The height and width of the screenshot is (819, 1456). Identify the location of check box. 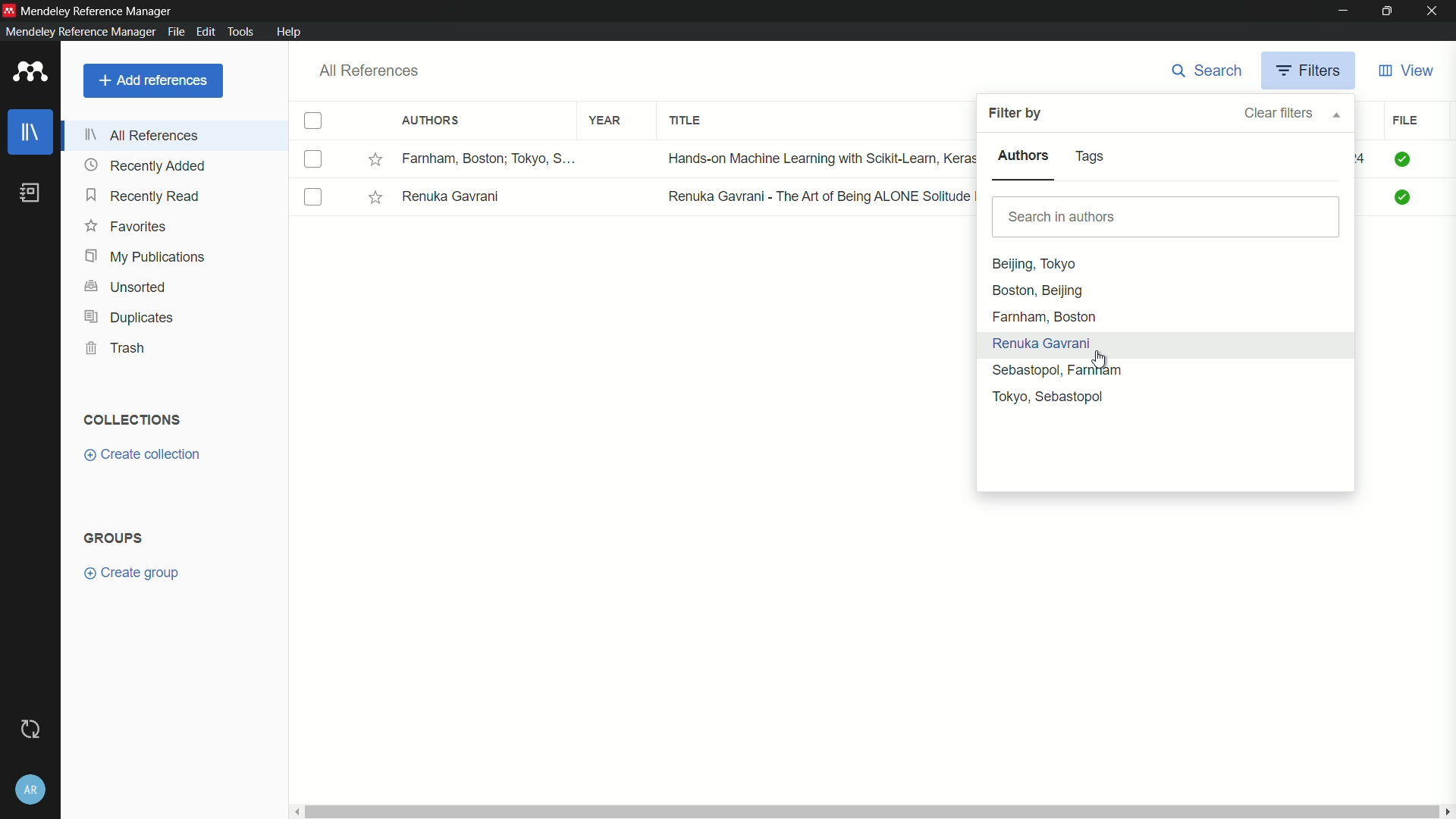
(313, 159).